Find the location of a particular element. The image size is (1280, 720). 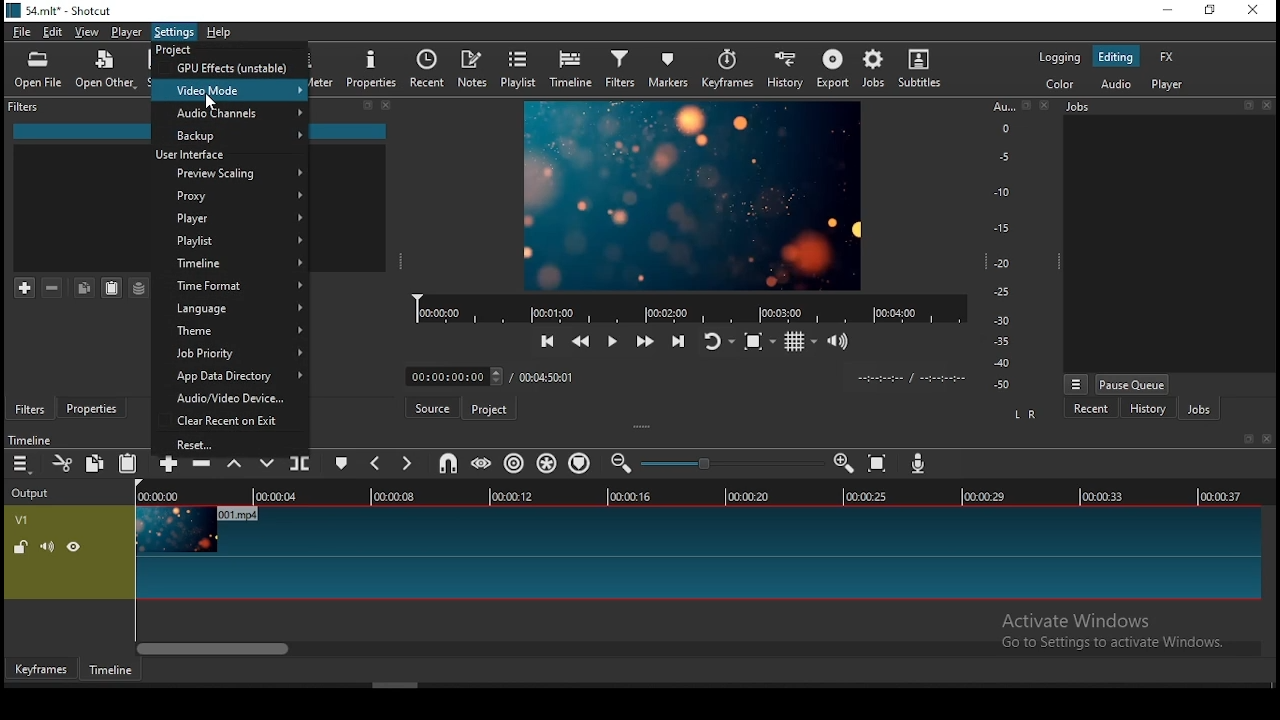

-10 is located at coordinates (1000, 192).